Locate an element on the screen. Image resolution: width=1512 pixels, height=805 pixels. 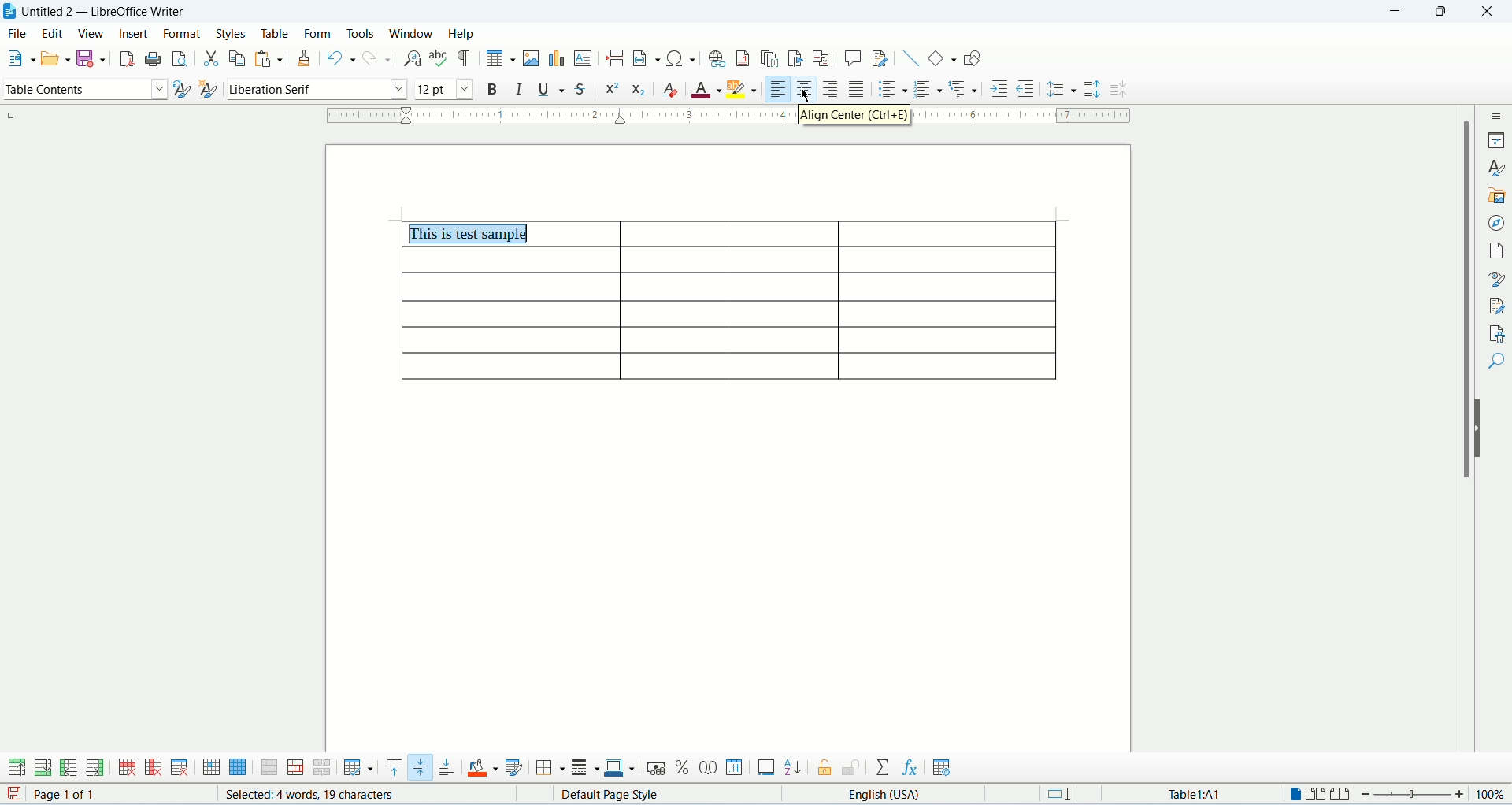
currency format is located at coordinates (656, 766).